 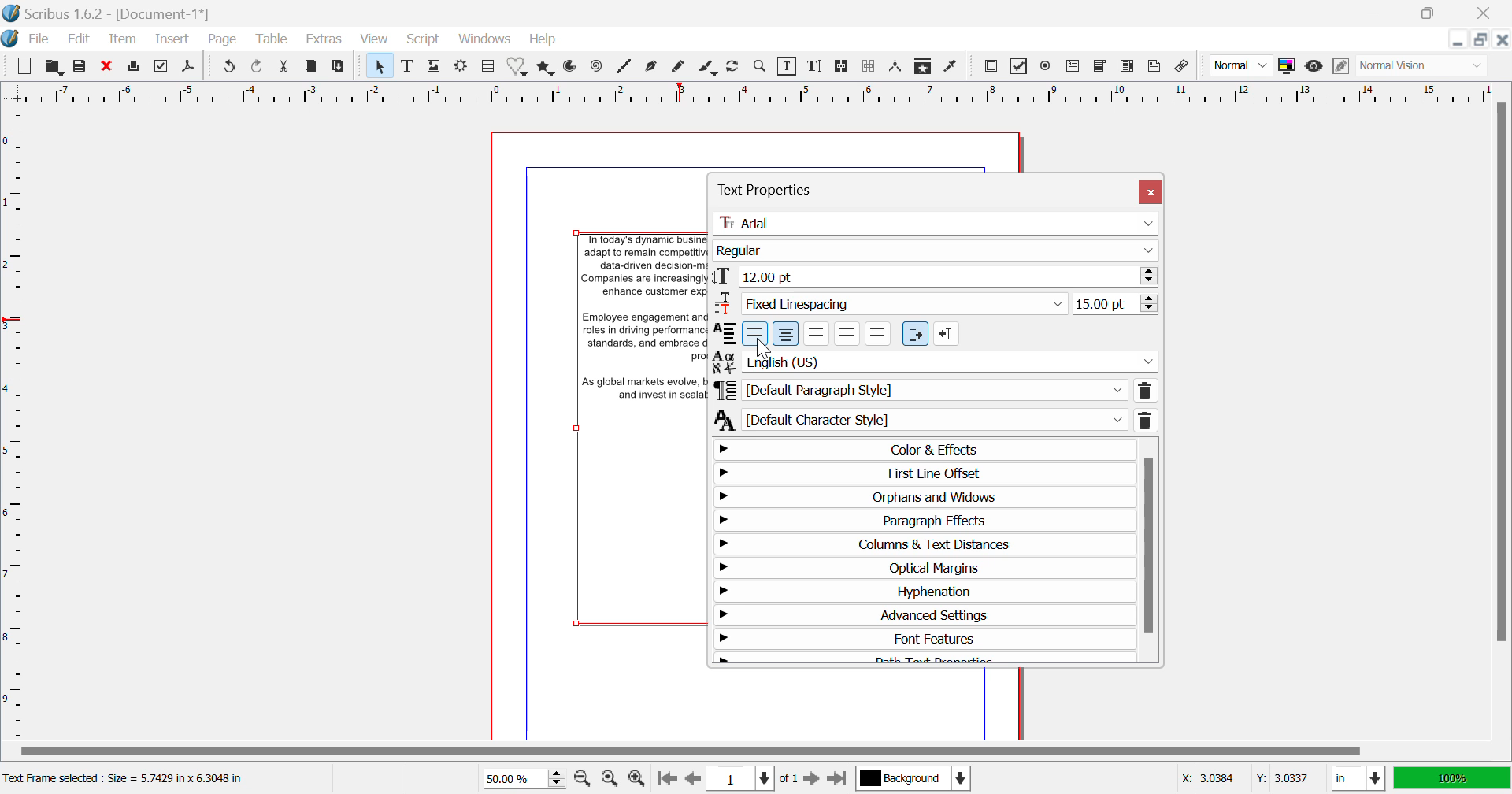 What do you see at coordinates (1288, 65) in the screenshot?
I see `Toggle Color Management` at bounding box center [1288, 65].